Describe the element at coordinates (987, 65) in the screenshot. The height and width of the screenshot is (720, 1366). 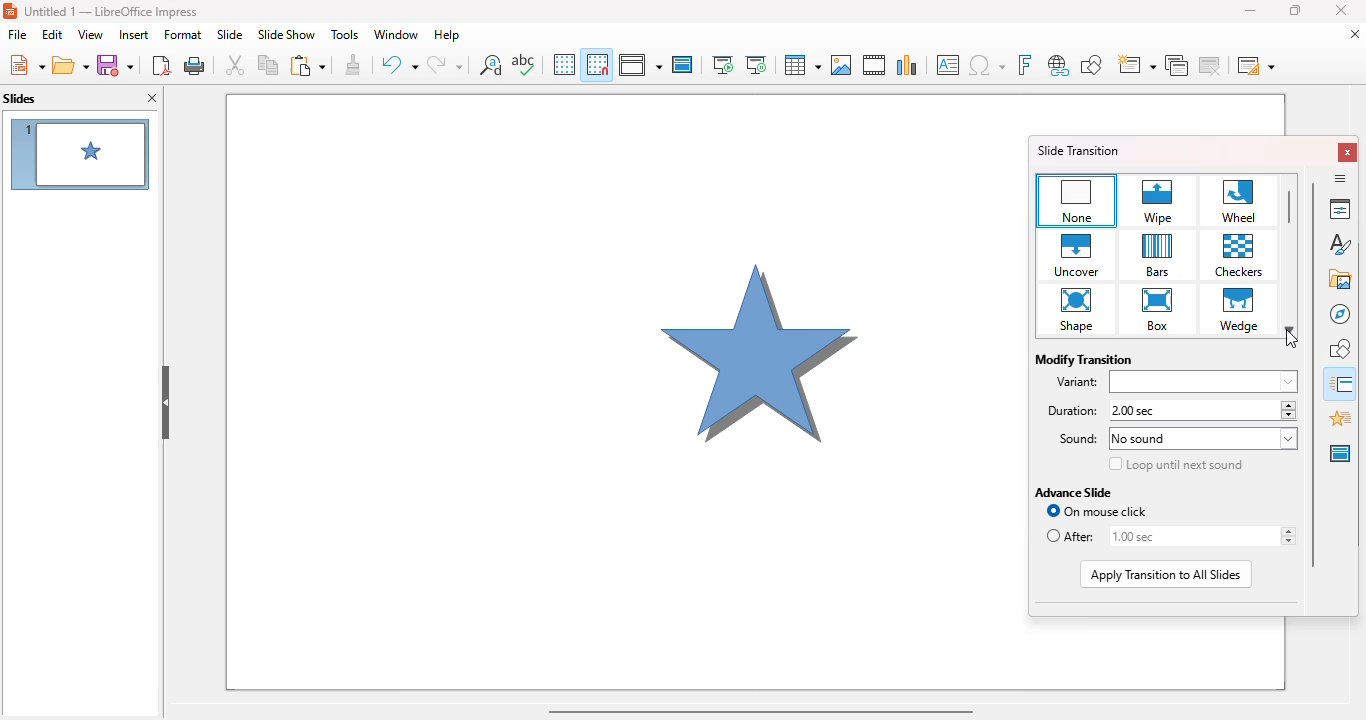
I see `insert special characters` at that location.